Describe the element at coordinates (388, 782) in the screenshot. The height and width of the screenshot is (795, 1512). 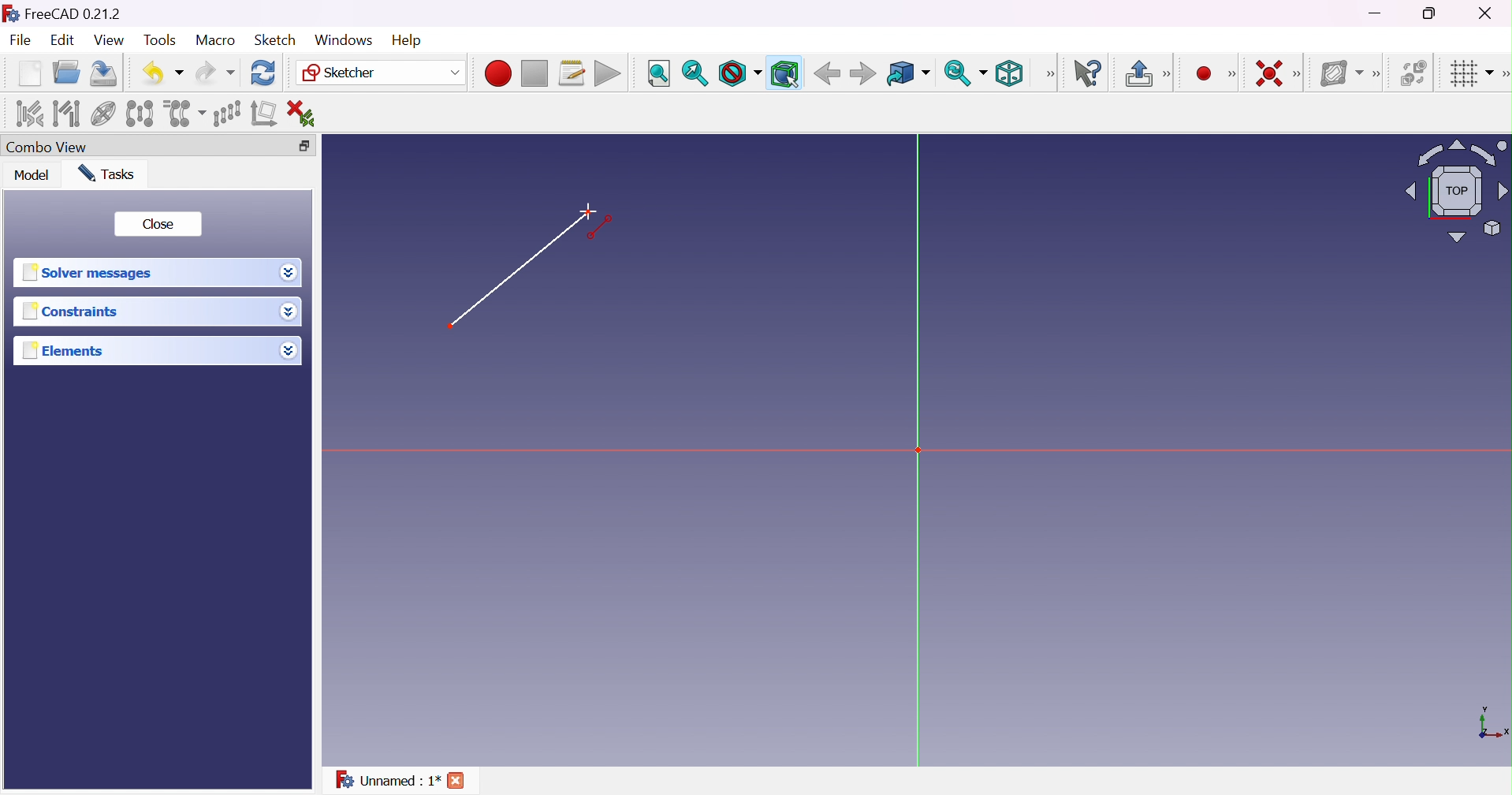
I see `Unnamed : 1*` at that location.